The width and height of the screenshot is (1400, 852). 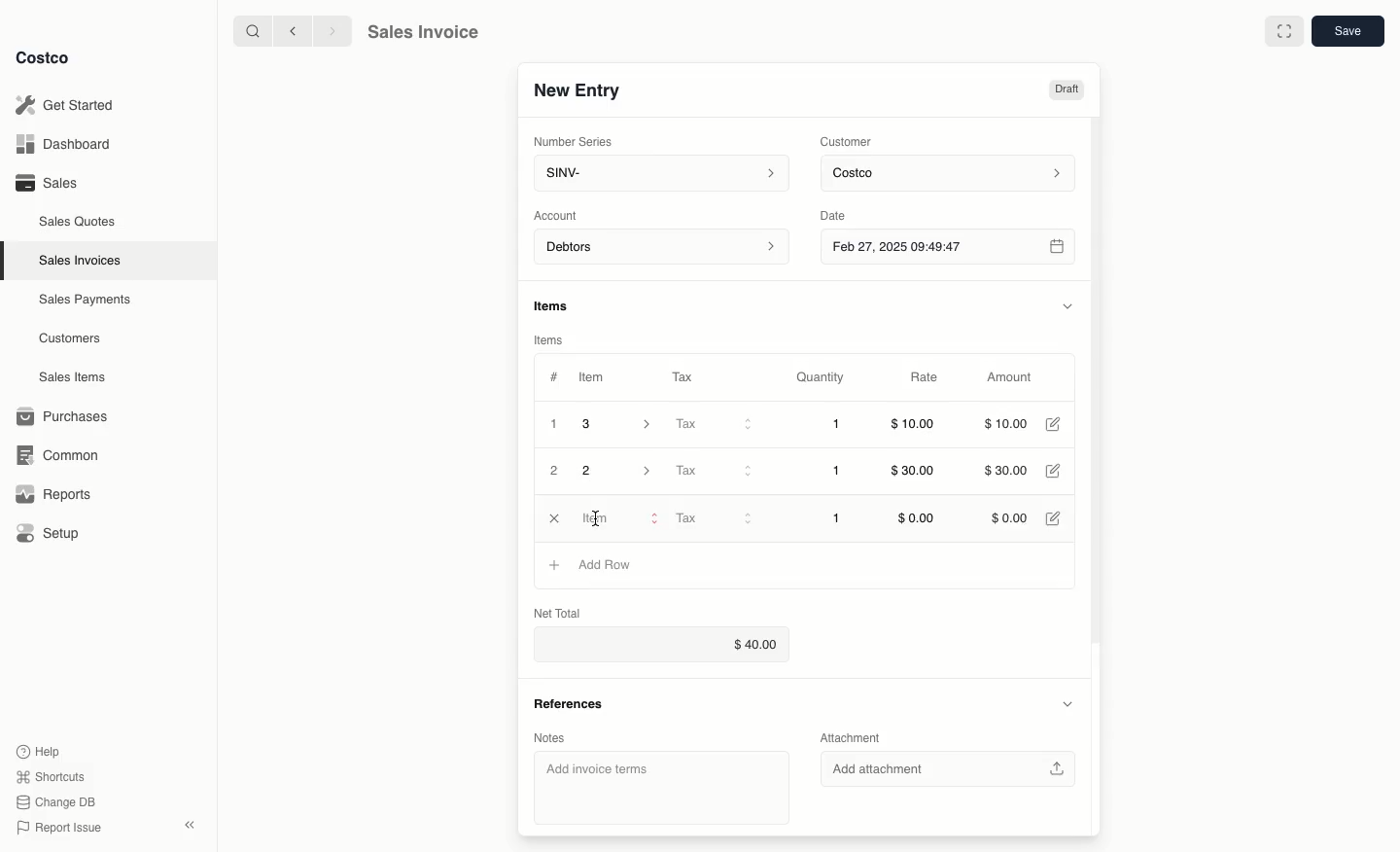 What do you see at coordinates (947, 246) in the screenshot?
I see `Feb 27, 2025 09:49:47` at bounding box center [947, 246].